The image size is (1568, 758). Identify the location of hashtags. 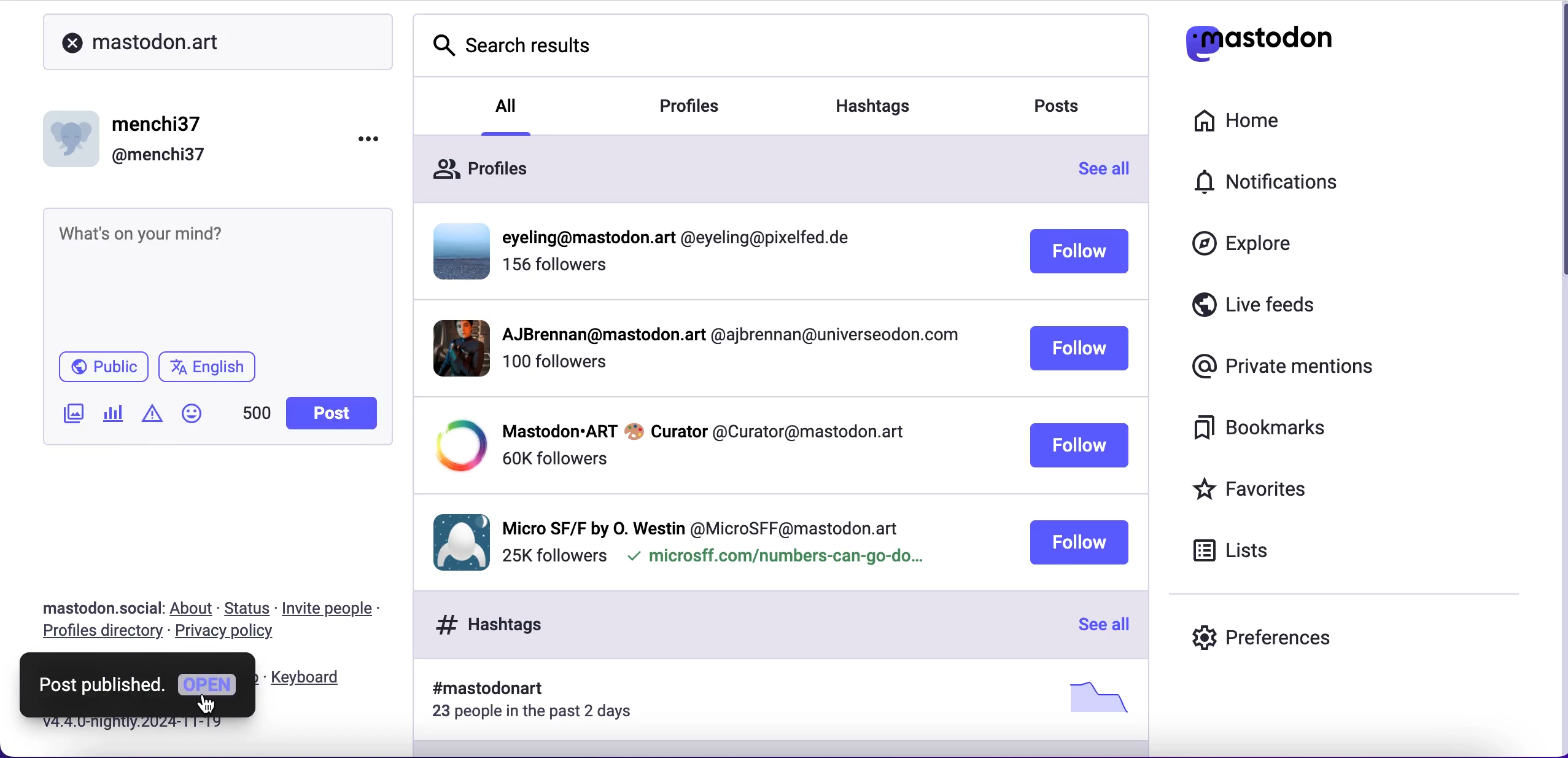
(483, 624).